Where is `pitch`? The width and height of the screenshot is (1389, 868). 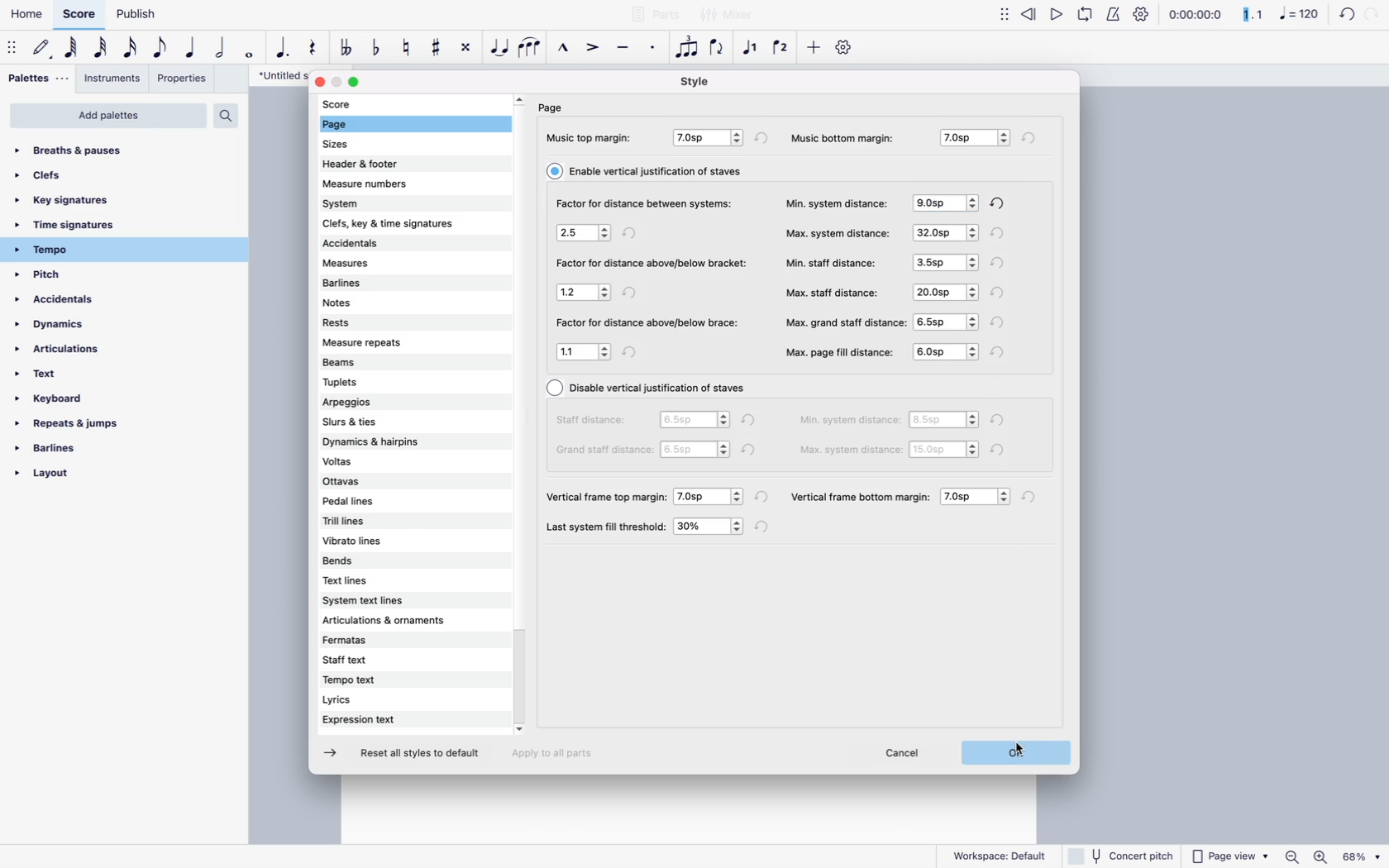
pitch is located at coordinates (69, 276).